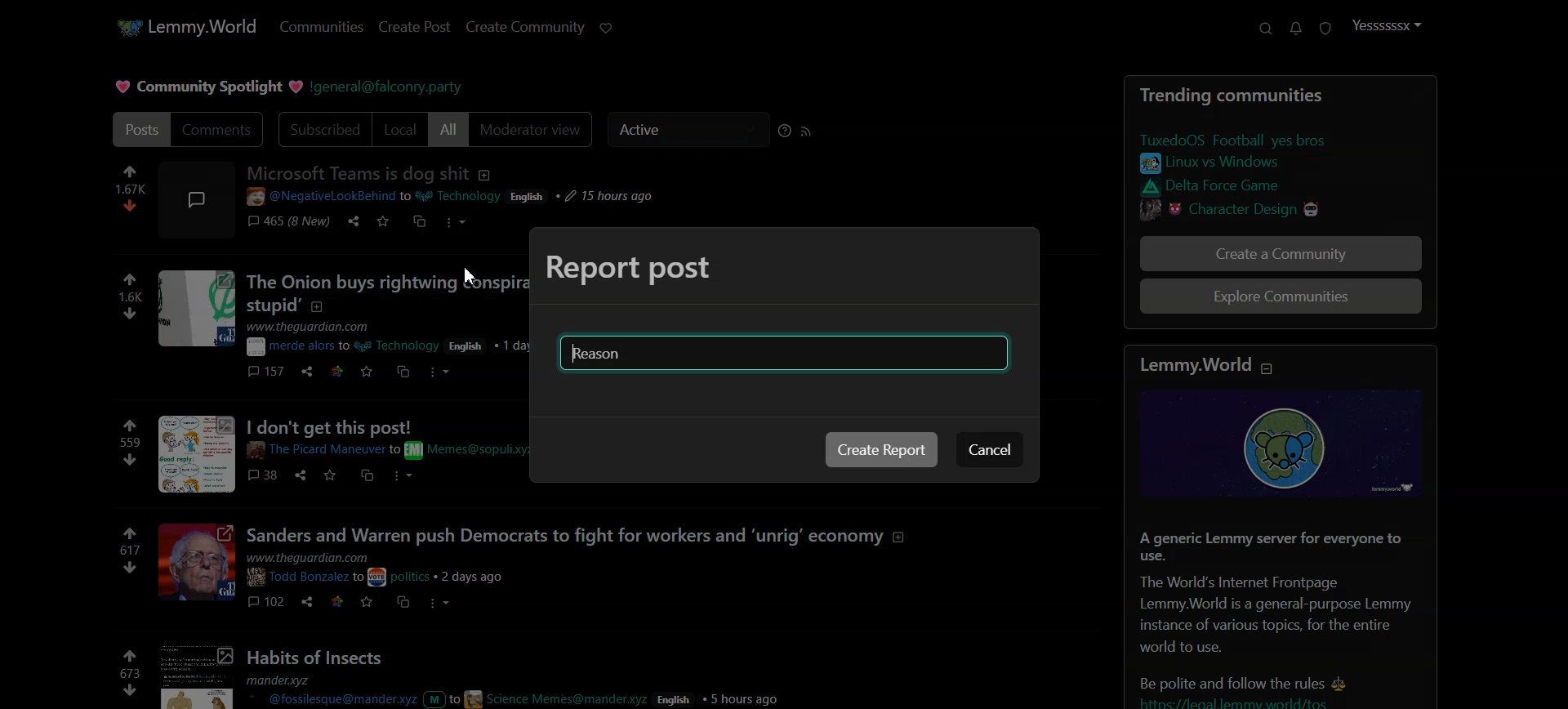 This screenshot has width=1568, height=709. Describe the element at coordinates (289, 223) in the screenshot. I see `comments` at that location.